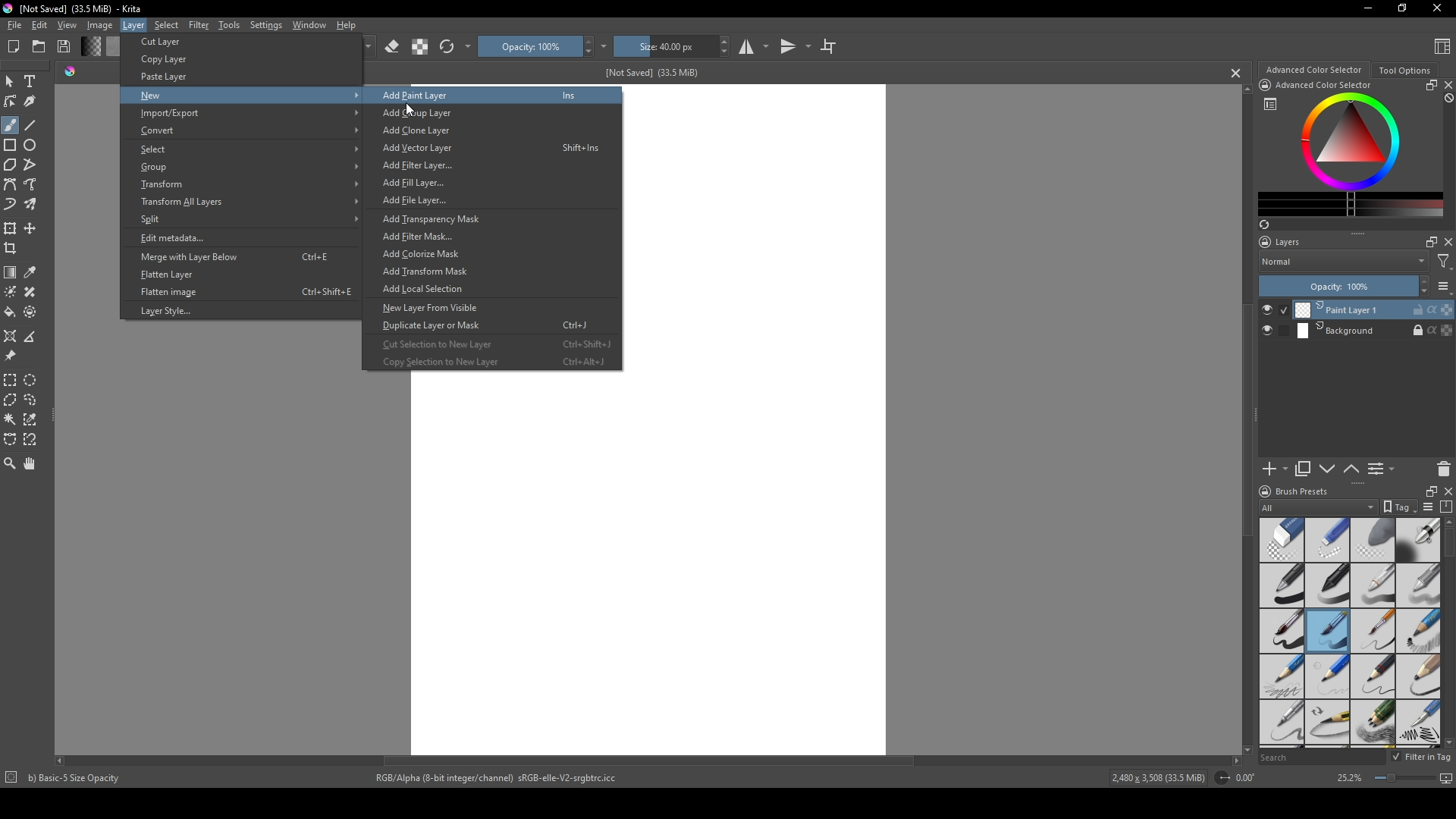 Image resolution: width=1456 pixels, height=819 pixels. I want to click on pencil, so click(1328, 723).